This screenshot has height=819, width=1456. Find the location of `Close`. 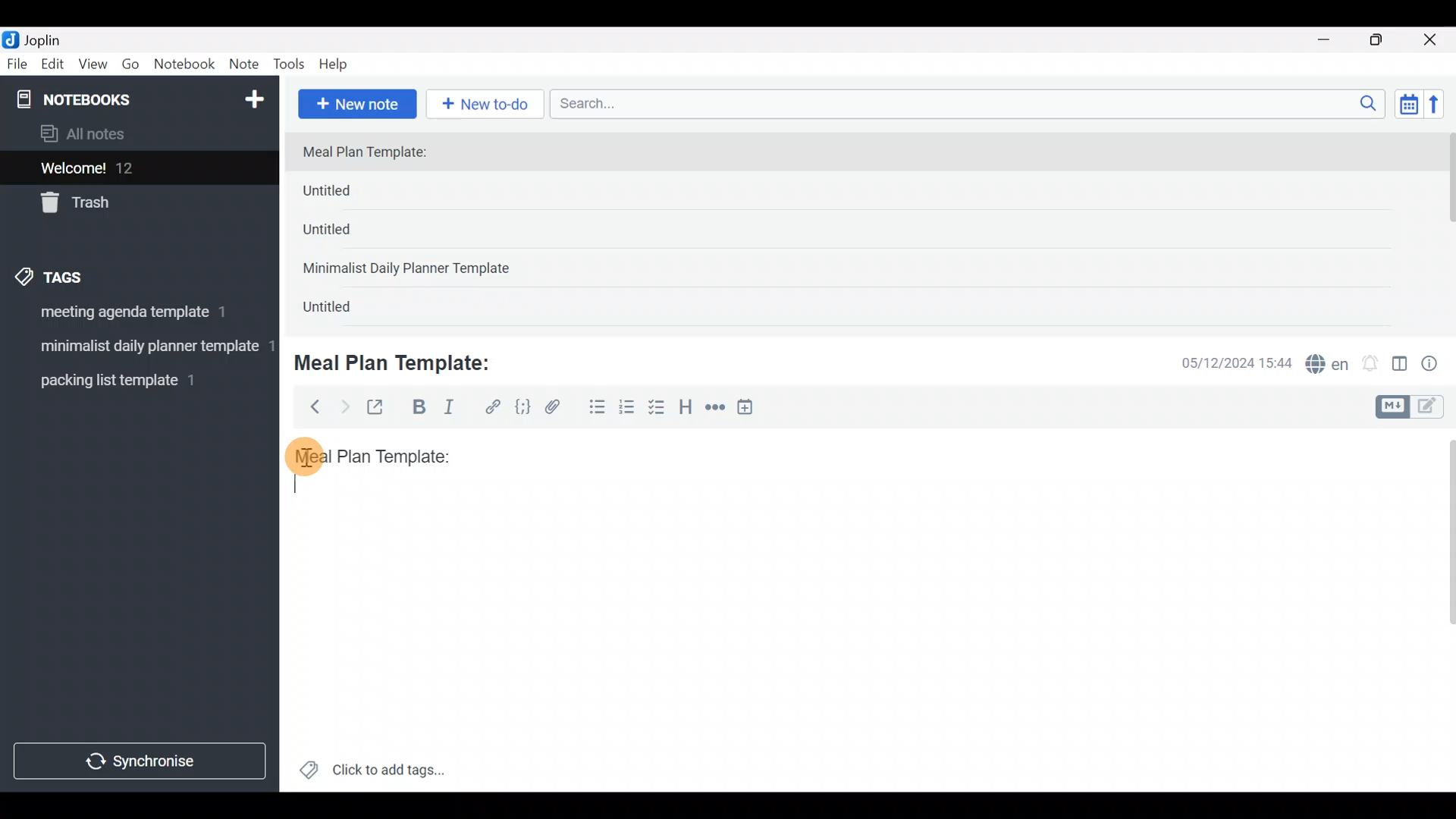

Close is located at coordinates (1432, 41).